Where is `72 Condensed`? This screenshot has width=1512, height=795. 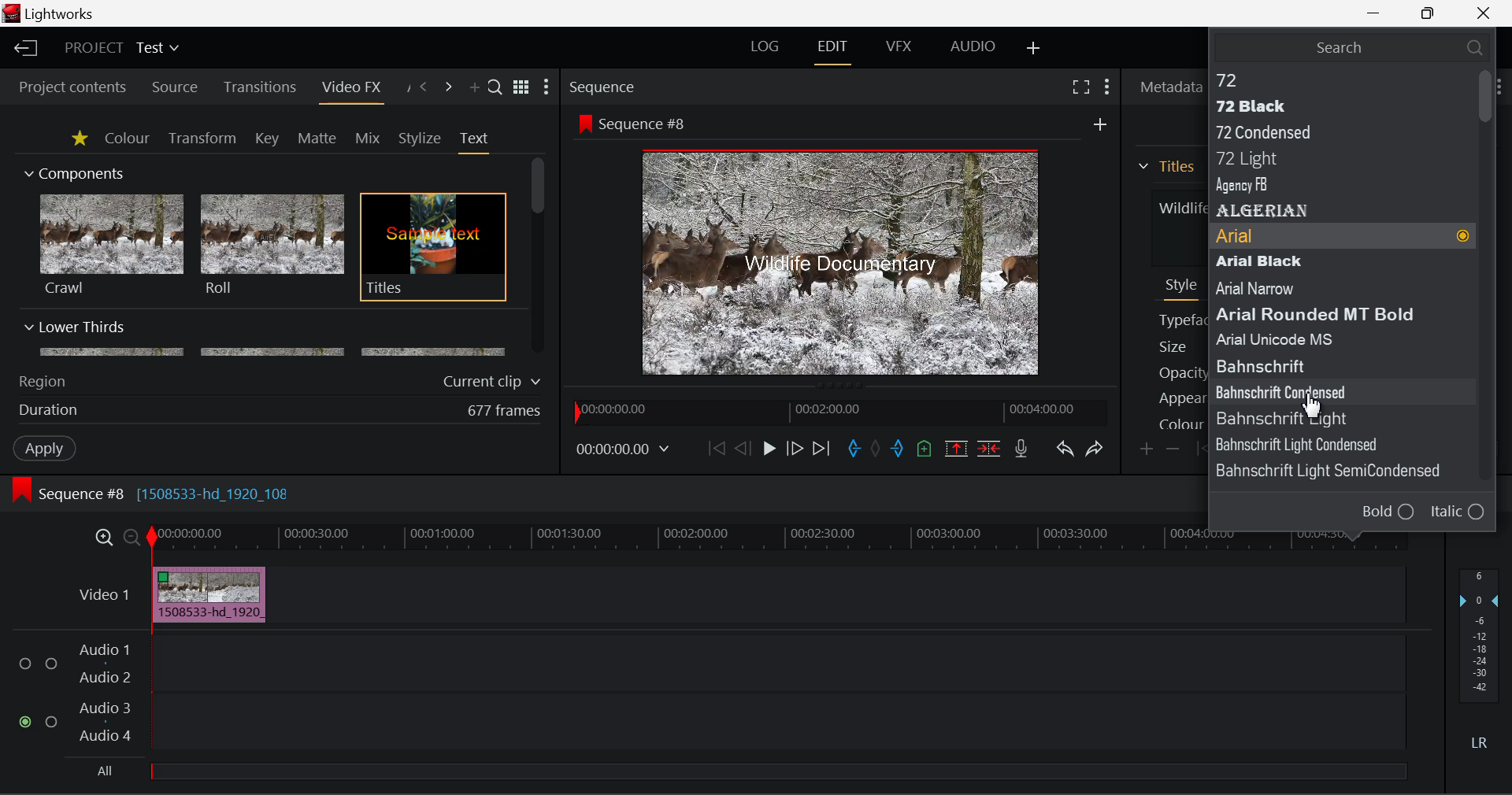
72 Condensed is located at coordinates (1331, 130).